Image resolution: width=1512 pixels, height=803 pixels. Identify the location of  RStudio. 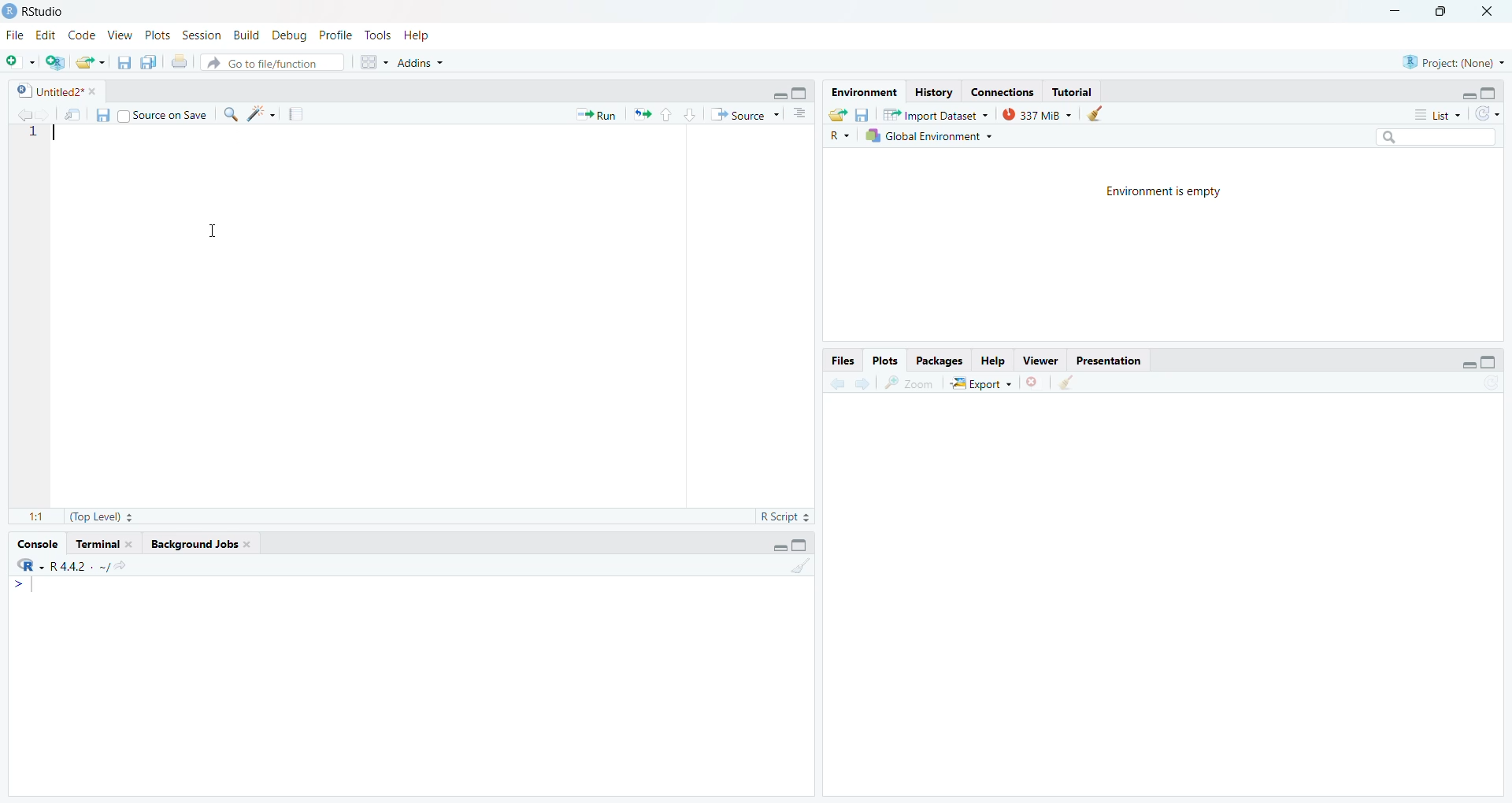
(37, 9).